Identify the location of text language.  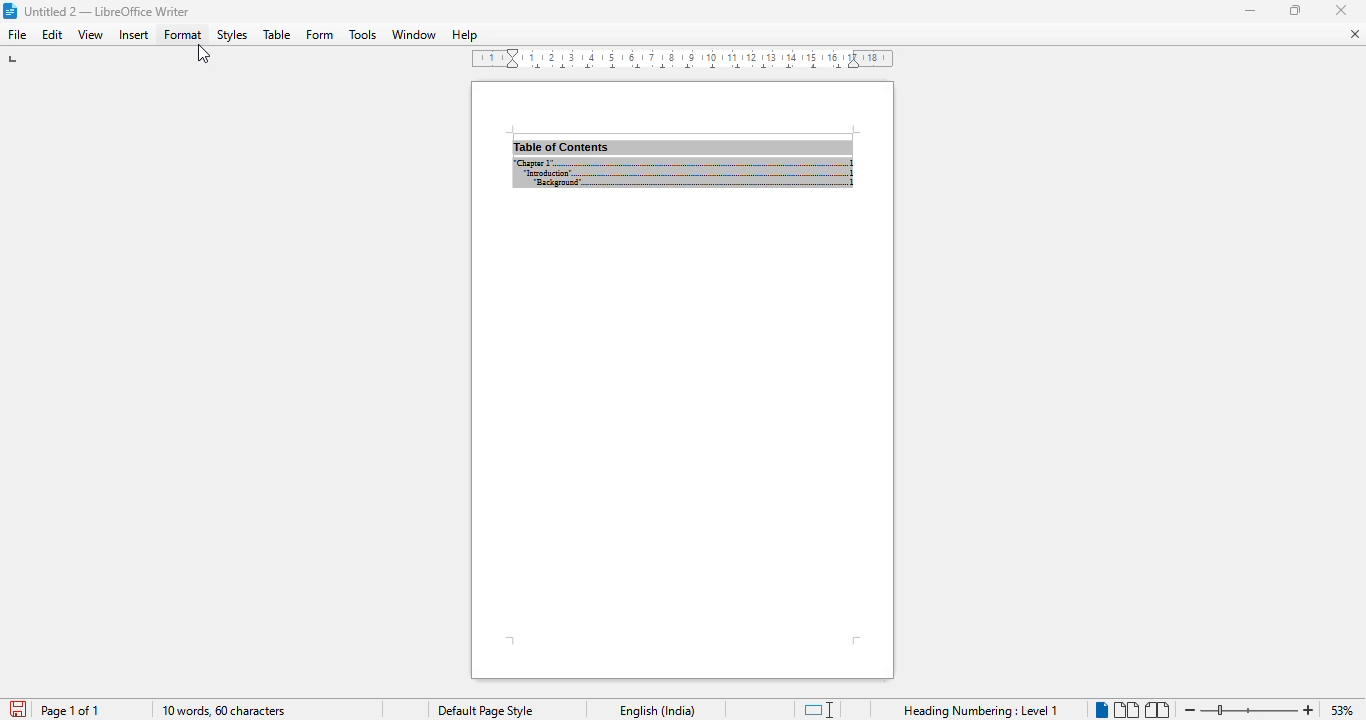
(659, 710).